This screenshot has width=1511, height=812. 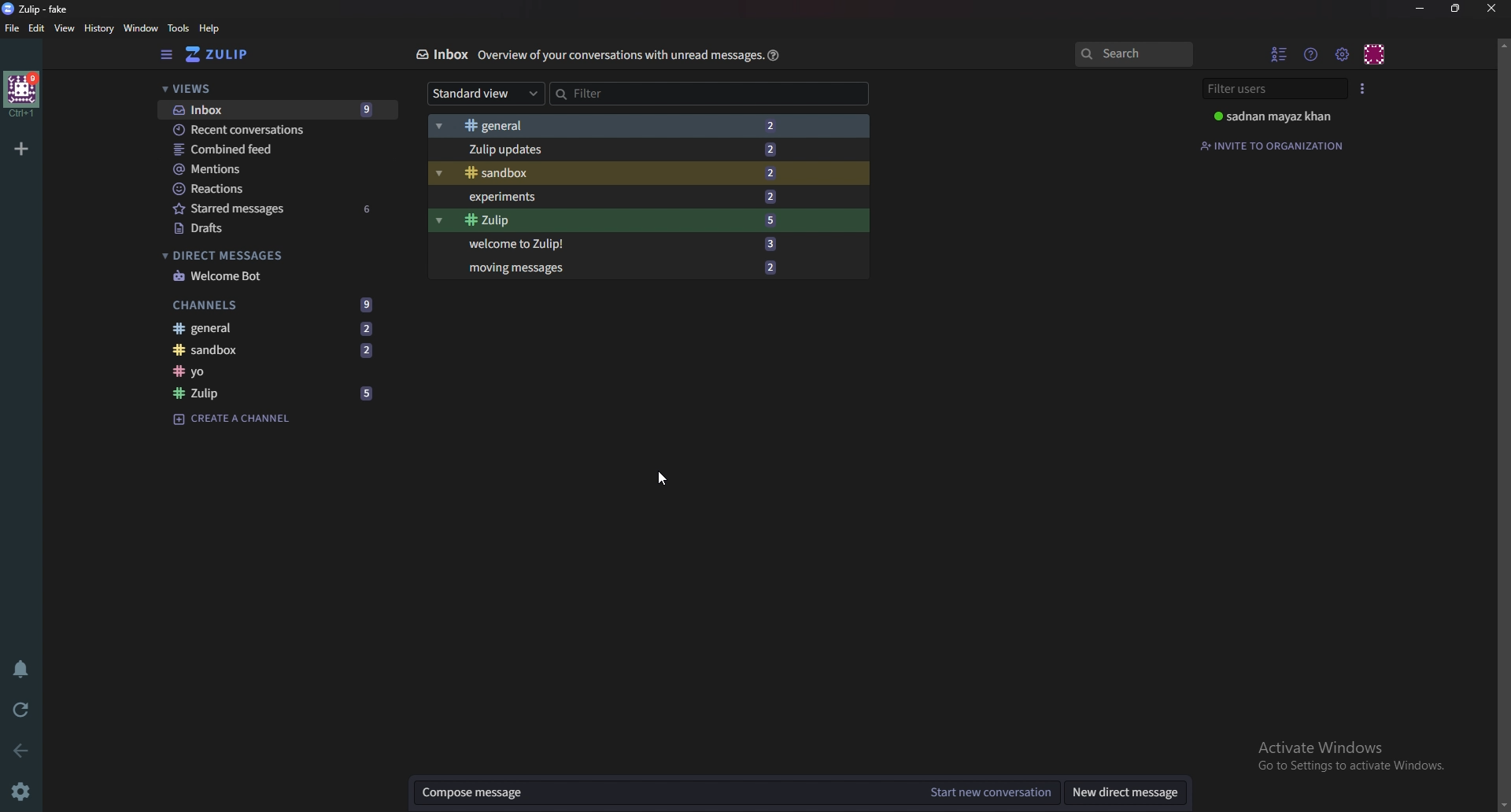 I want to click on help menu, so click(x=1315, y=53).